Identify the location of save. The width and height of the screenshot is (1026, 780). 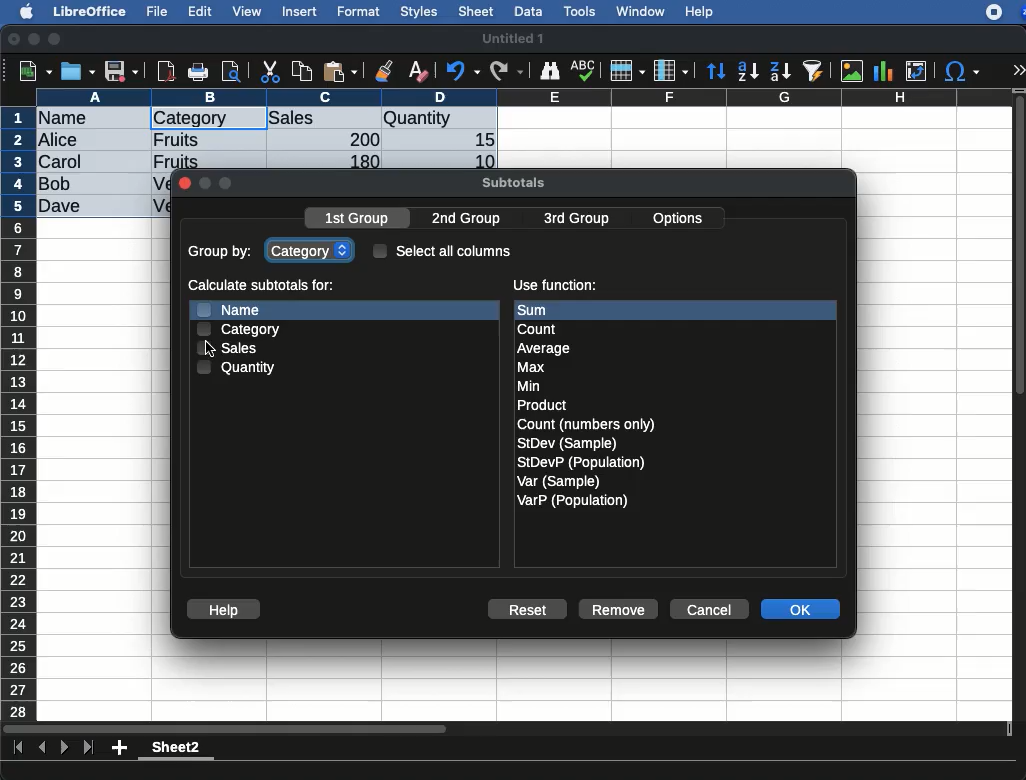
(79, 71).